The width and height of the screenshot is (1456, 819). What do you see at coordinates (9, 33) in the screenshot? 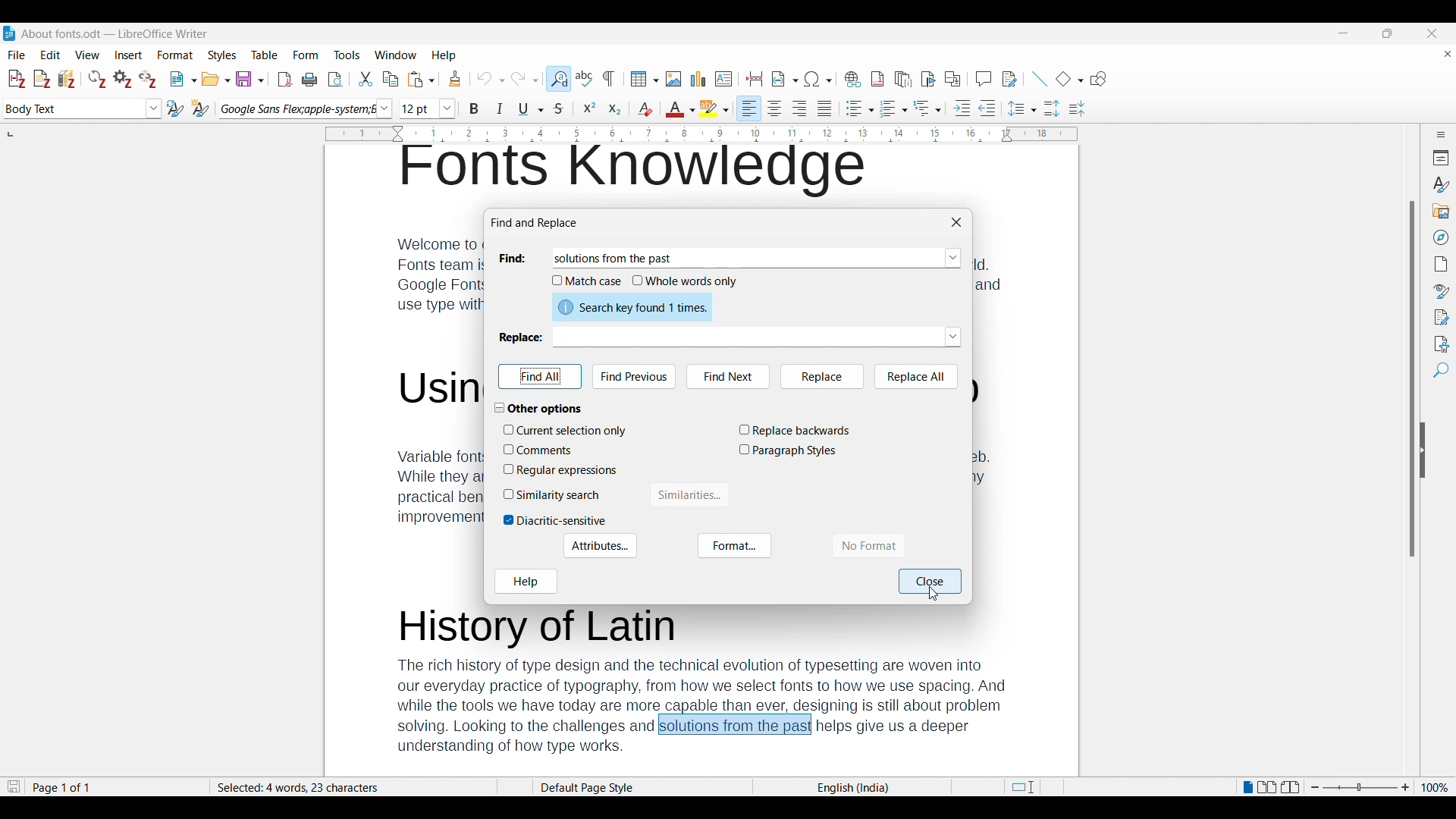
I see `Software logo` at bounding box center [9, 33].